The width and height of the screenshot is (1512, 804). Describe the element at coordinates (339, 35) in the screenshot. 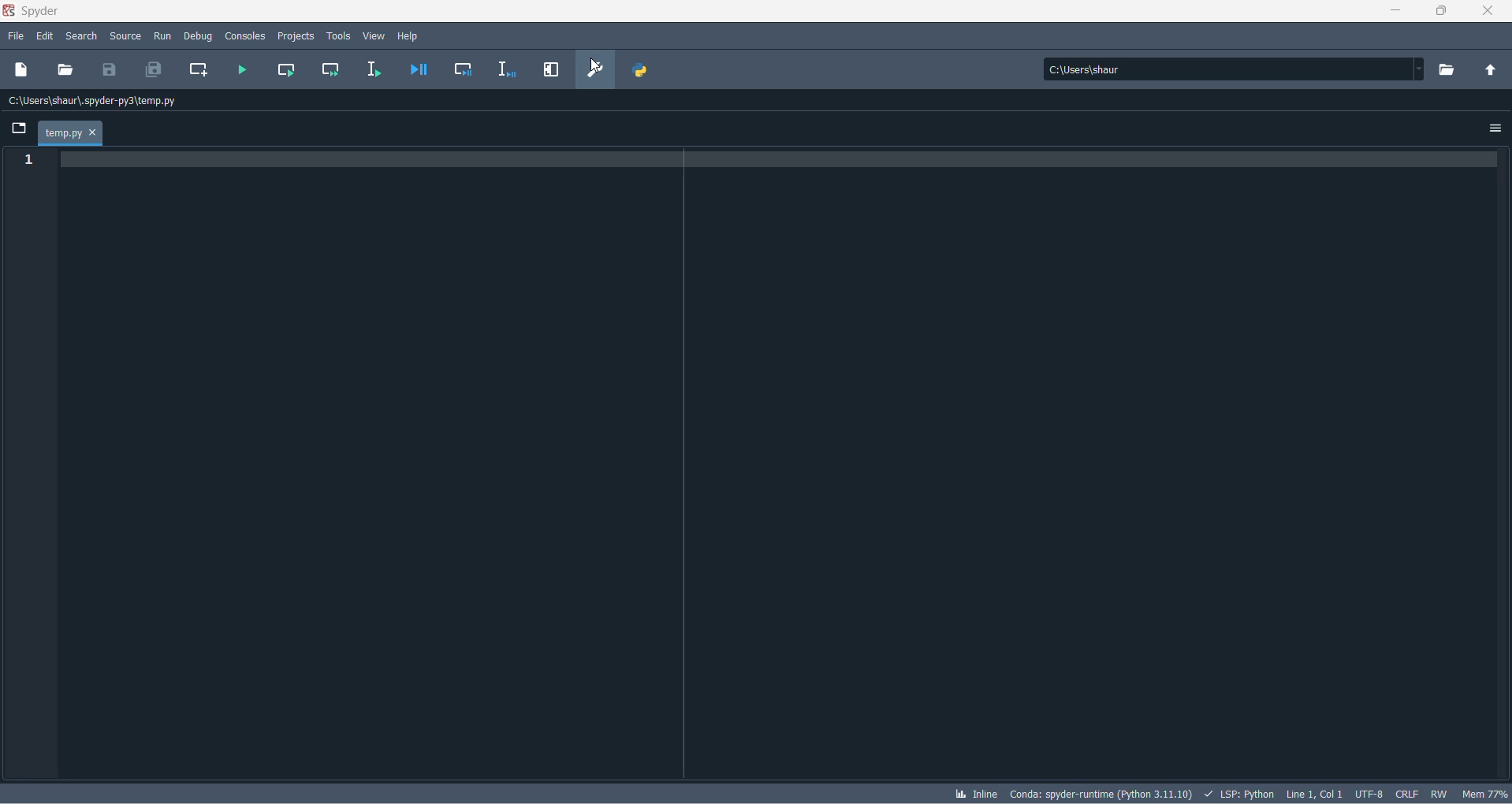

I see `tools` at that location.